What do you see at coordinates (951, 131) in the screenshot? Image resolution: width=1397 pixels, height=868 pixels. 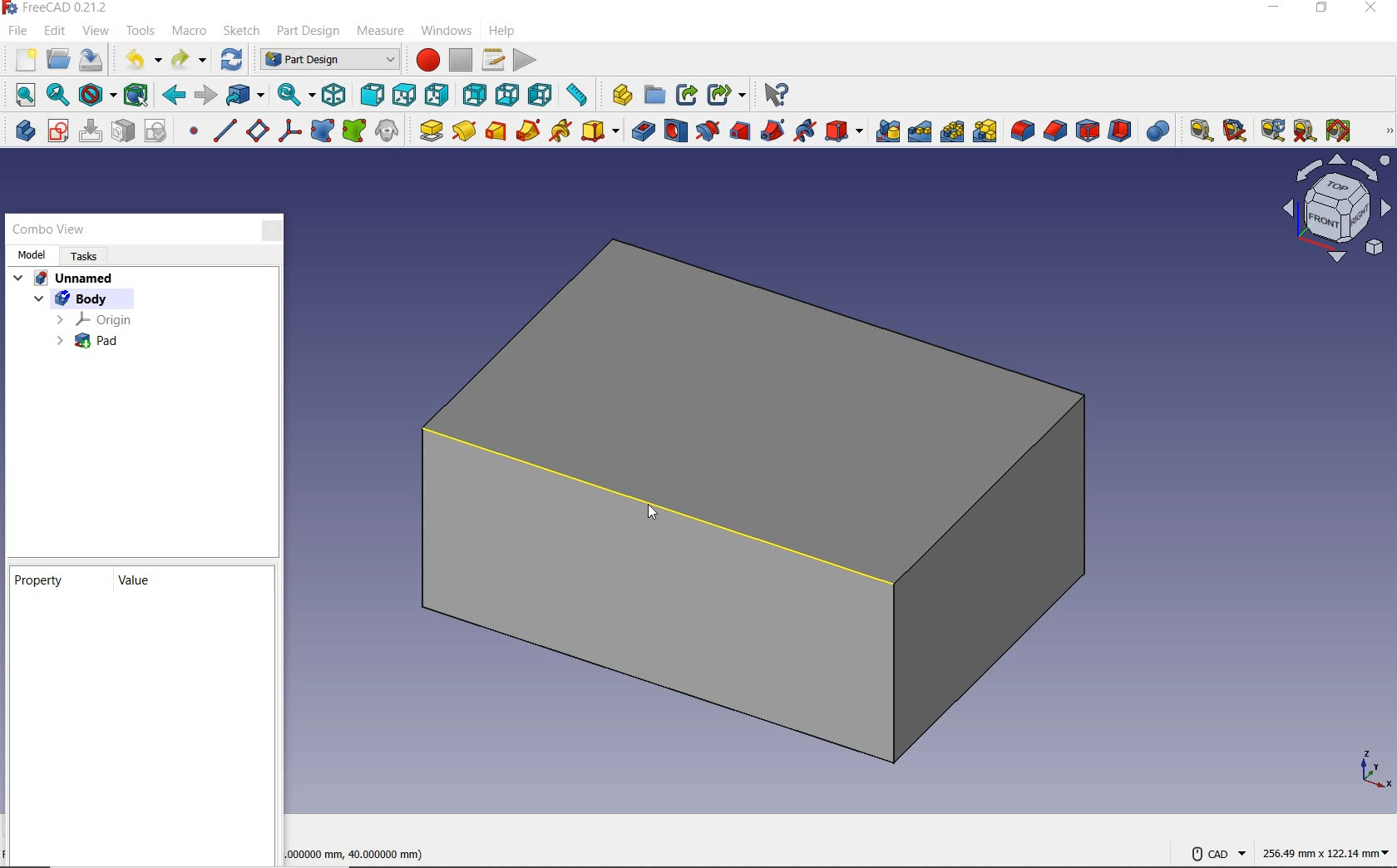 I see `polarpattern` at bounding box center [951, 131].